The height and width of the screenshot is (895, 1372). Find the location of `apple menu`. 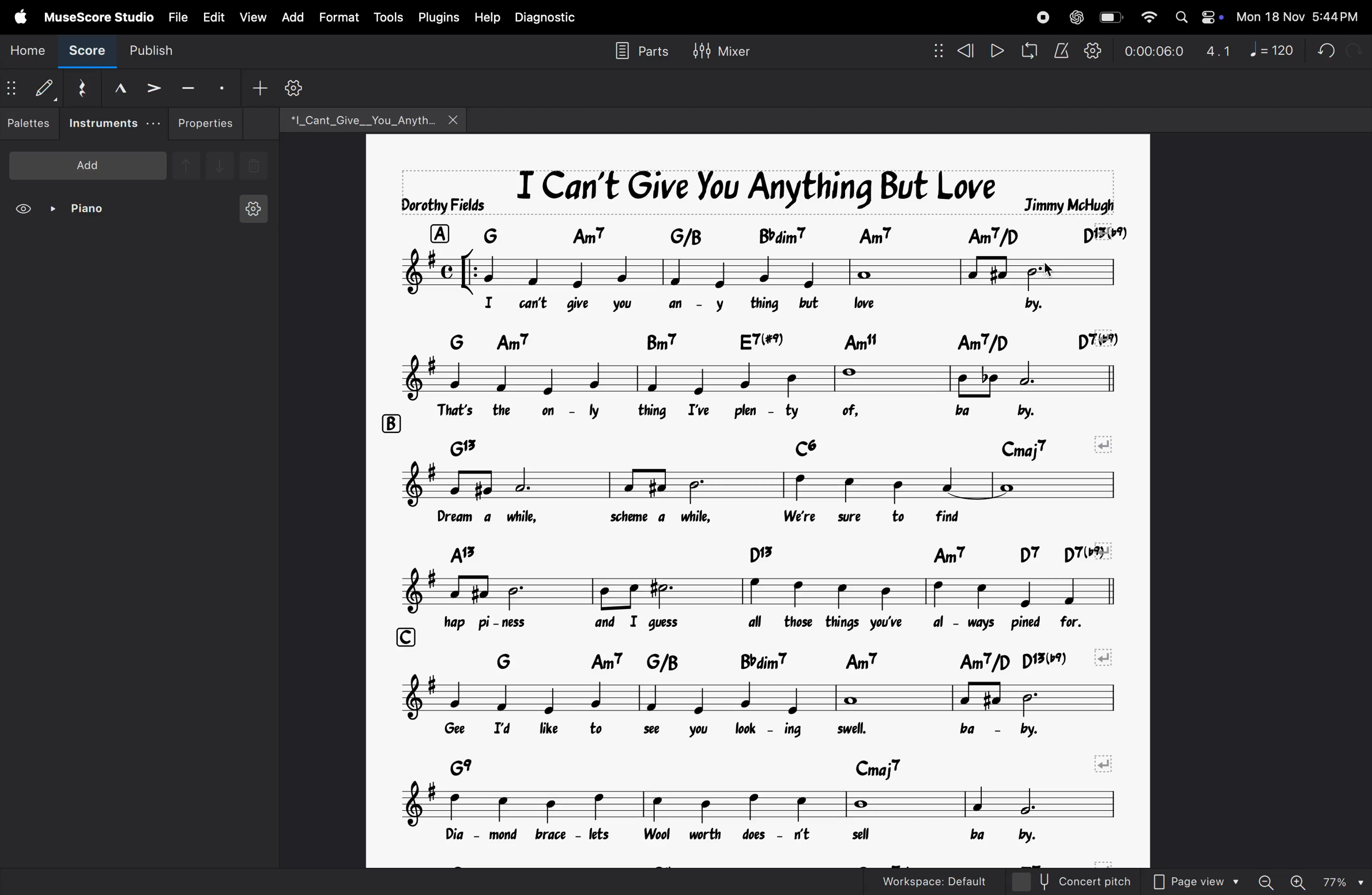

apple menu is located at coordinates (19, 18).